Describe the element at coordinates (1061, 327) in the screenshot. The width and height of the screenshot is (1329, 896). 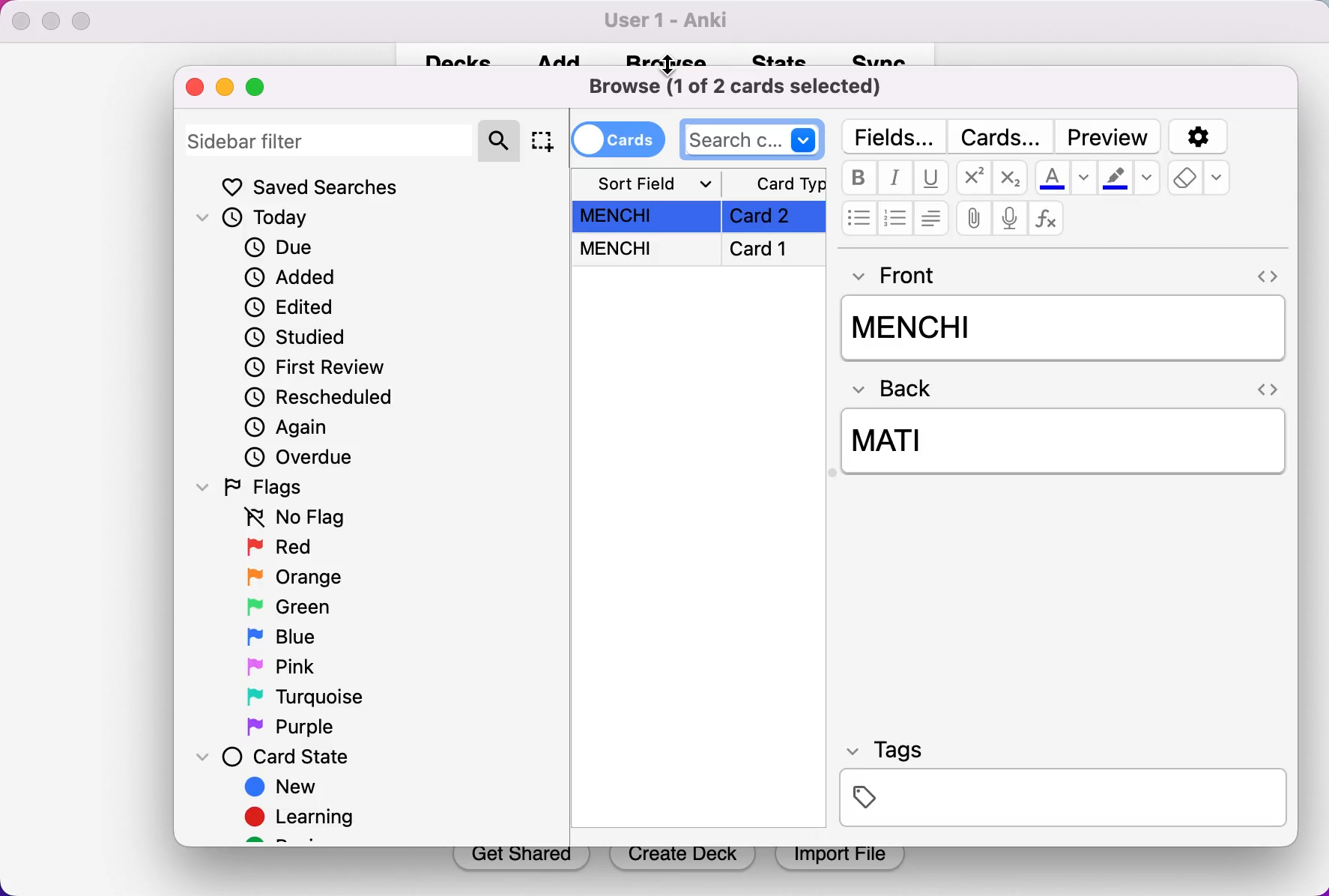
I see `Menchi` at that location.